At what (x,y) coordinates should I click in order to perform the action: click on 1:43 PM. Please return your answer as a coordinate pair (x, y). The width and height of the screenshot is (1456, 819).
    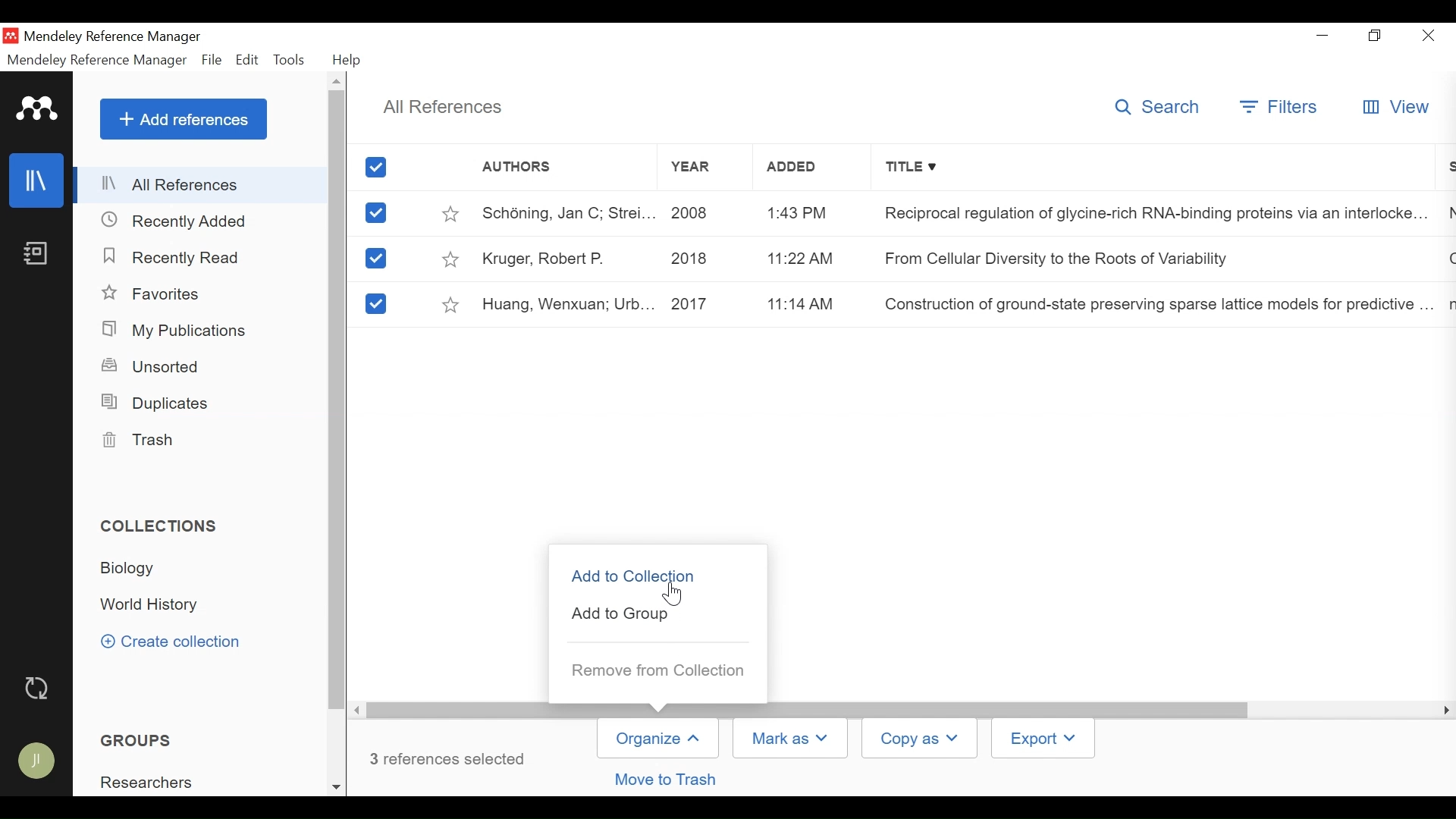
    Looking at the image, I should click on (802, 214).